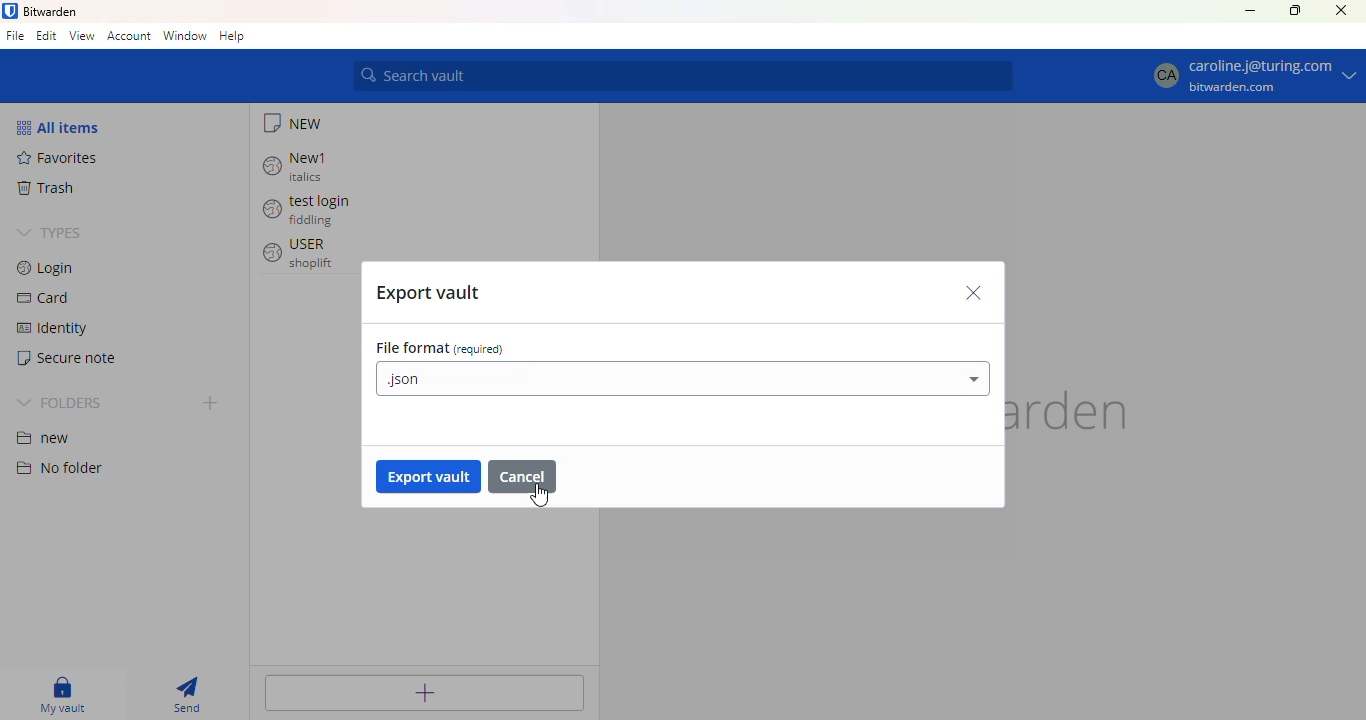  Describe the element at coordinates (424, 692) in the screenshot. I see `add item` at that location.